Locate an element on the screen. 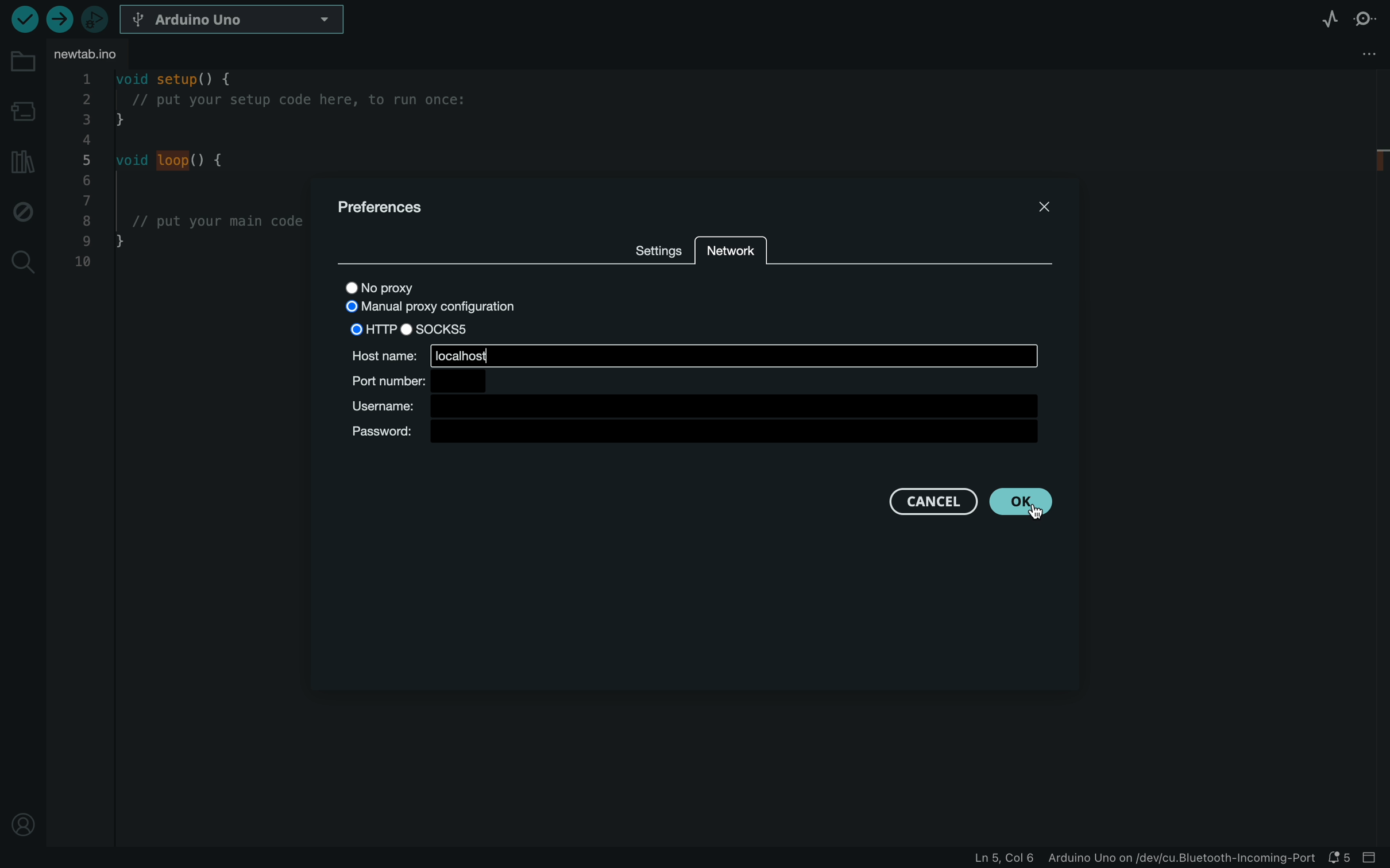 This screenshot has width=1390, height=868. file information is located at coordinates (1142, 858).